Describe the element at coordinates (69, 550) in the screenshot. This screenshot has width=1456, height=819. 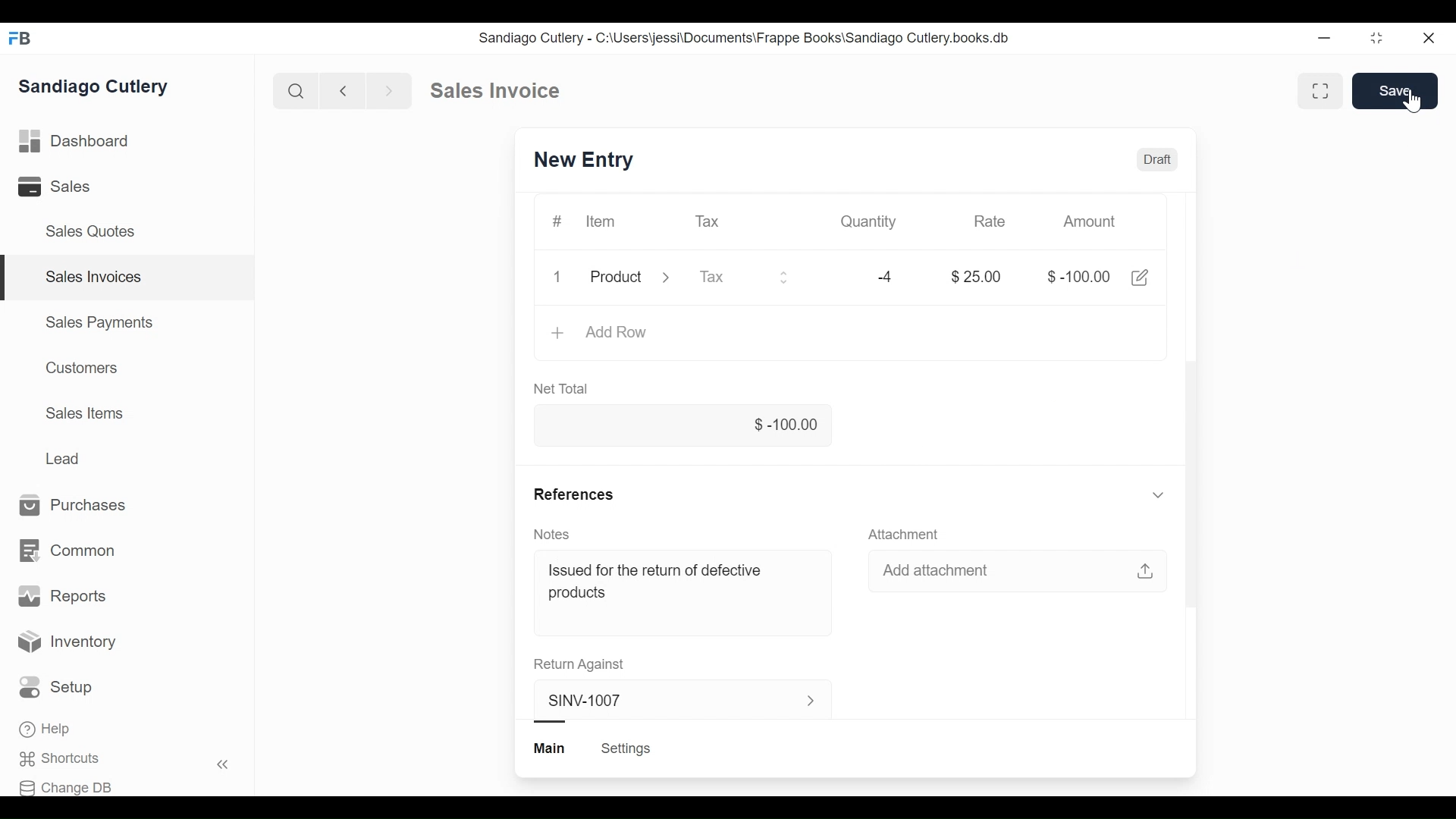
I see ` Common` at that location.